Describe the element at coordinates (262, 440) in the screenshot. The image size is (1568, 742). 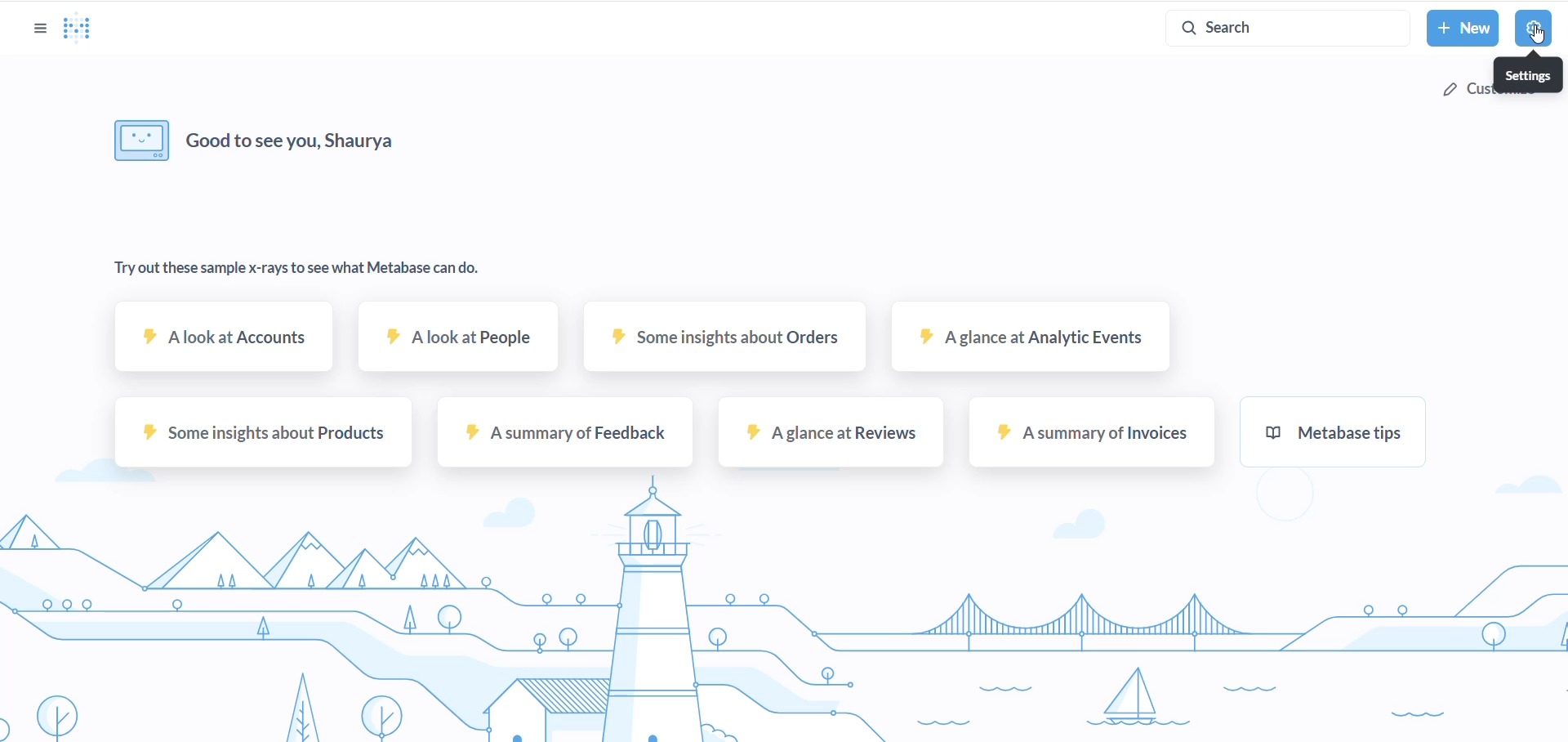
I see `some insights about products` at that location.